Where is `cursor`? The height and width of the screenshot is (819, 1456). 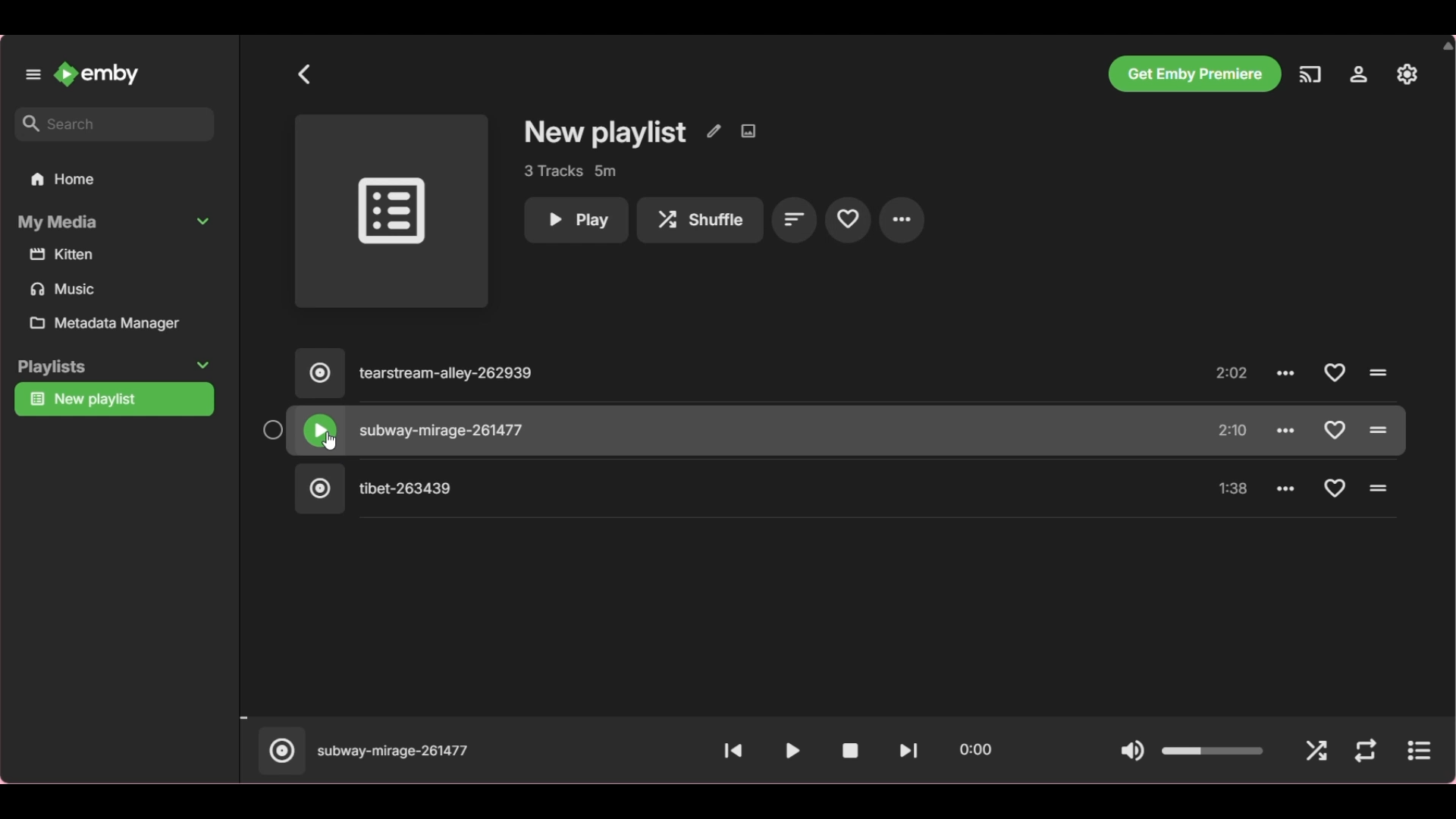
cursor is located at coordinates (329, 439).